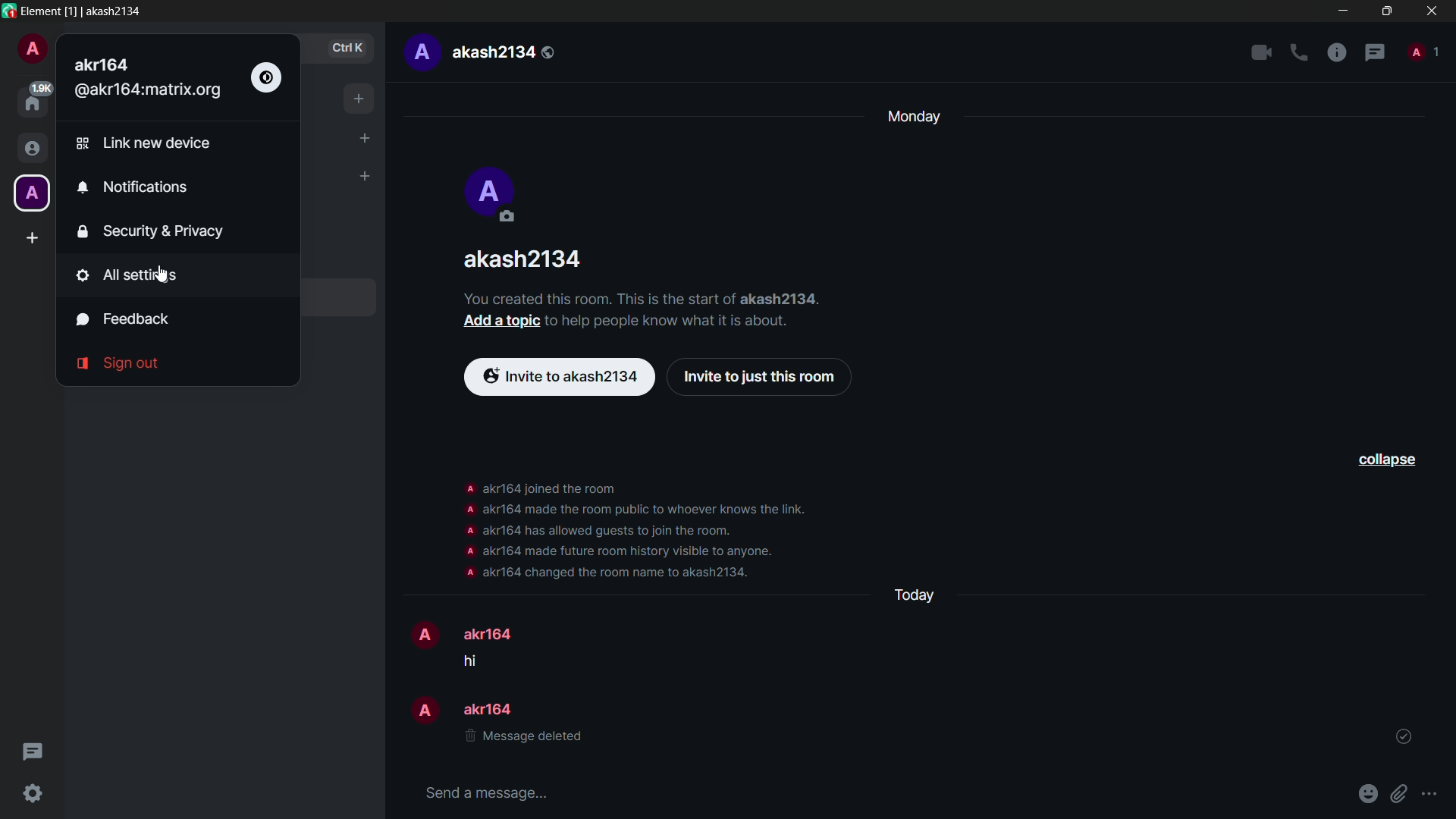  I want to click on collapse, so click(1385, 460).